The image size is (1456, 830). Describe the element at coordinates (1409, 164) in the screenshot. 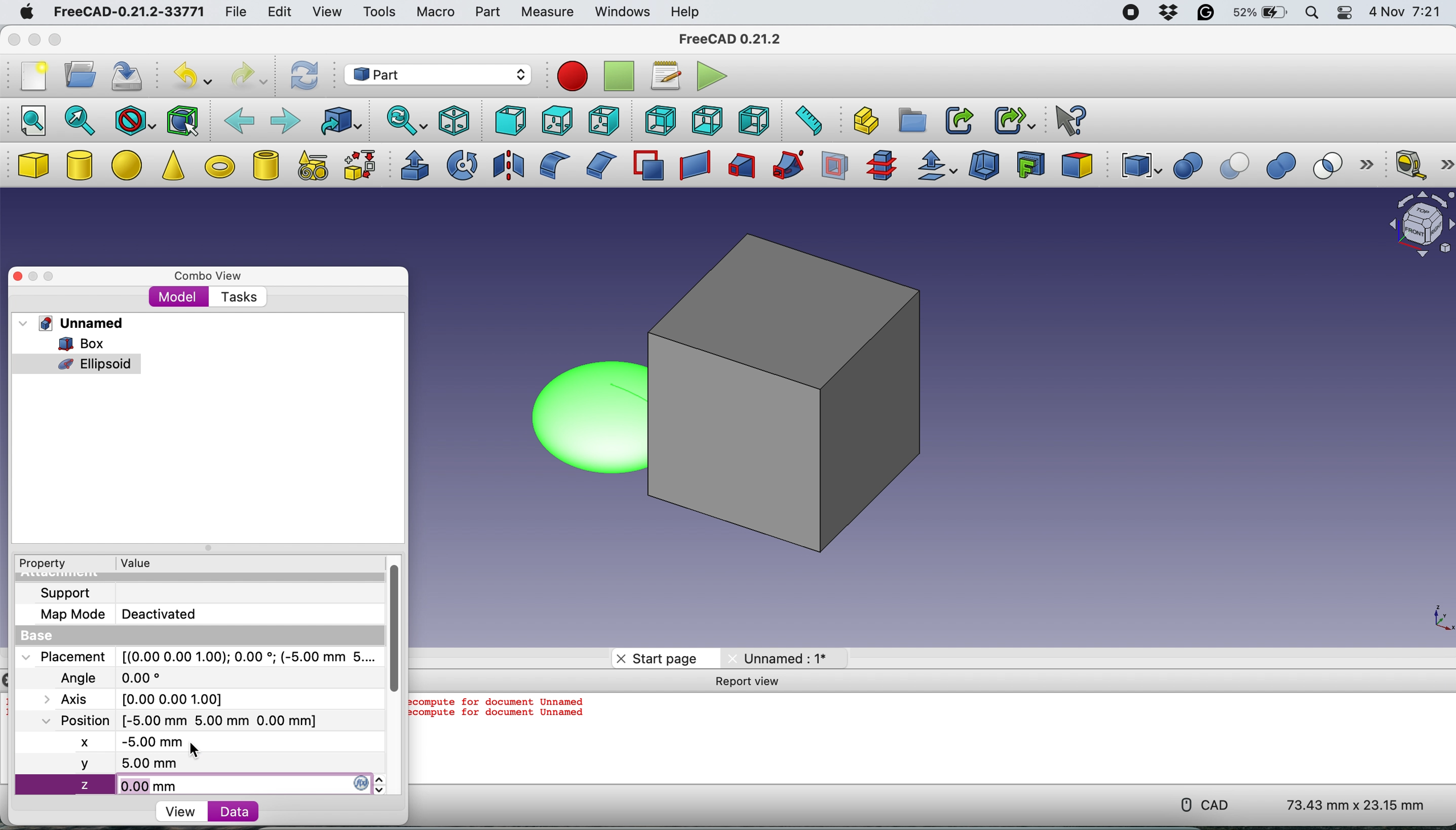

I see `measure linear` at that location.